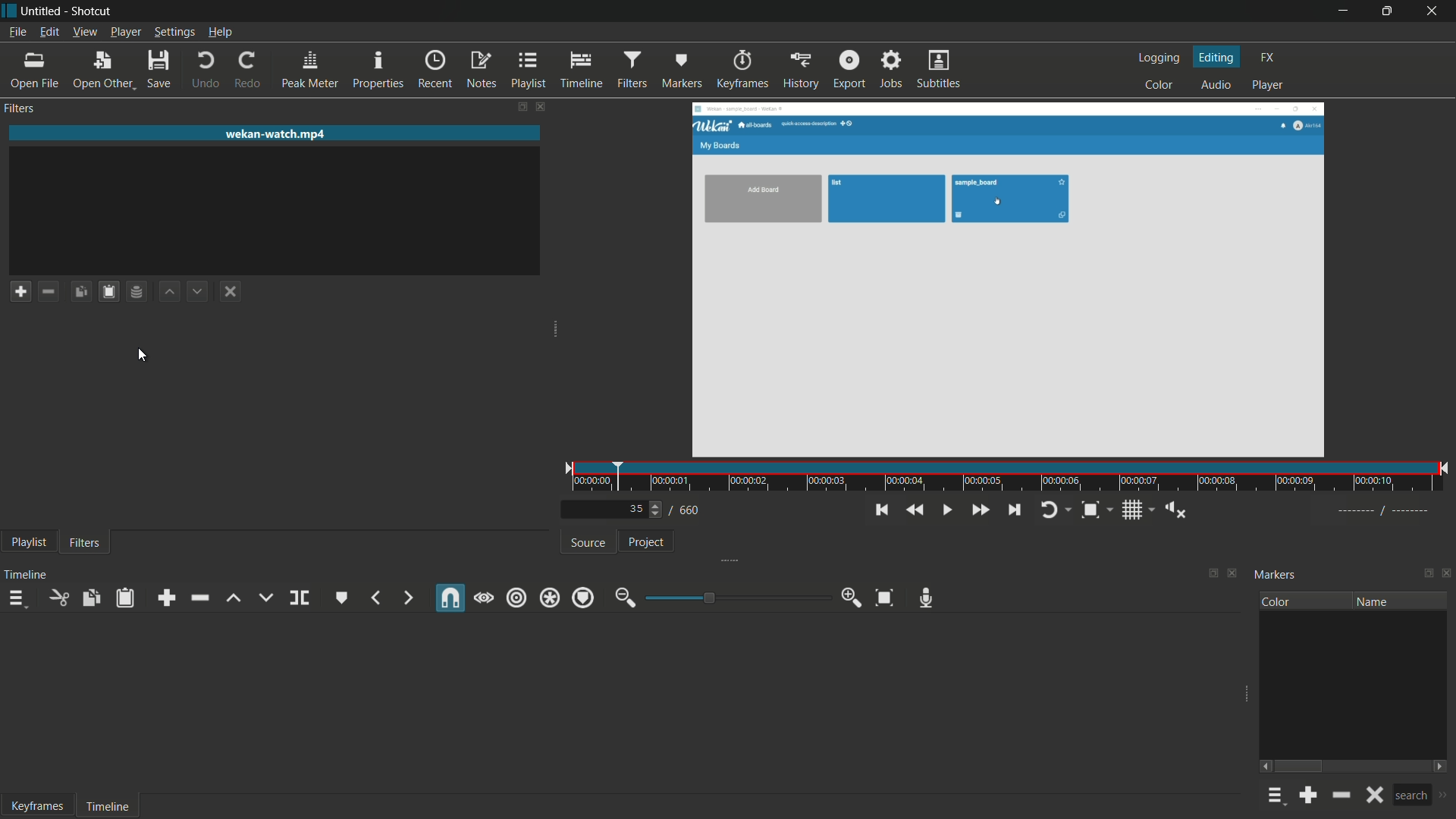  Describe the element at coordinates (83, 292) in the screenshot. I see `copy checked filters` at that location.